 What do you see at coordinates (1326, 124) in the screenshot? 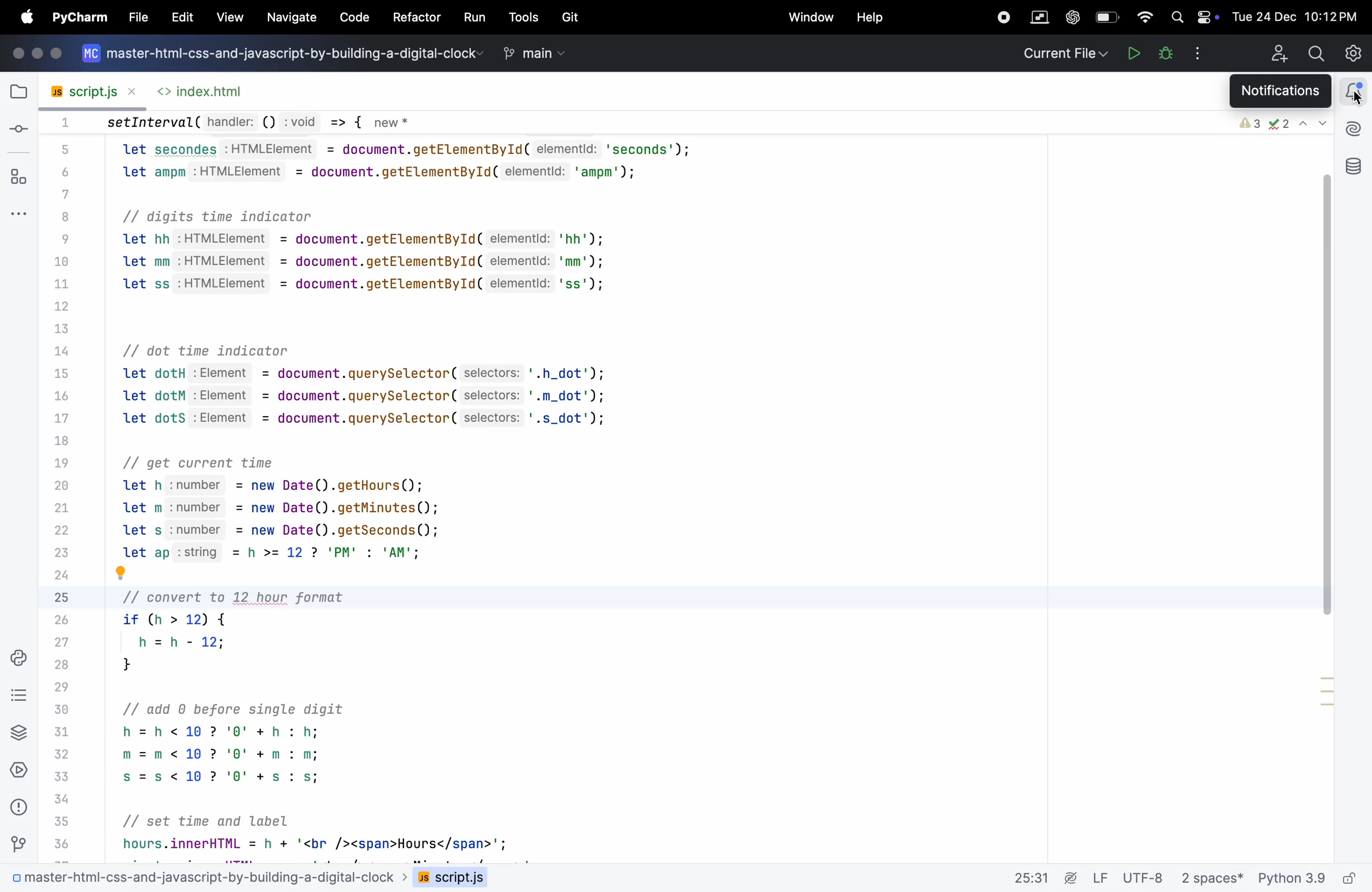
I see `dropdown` at bounding box center [1326, 124].